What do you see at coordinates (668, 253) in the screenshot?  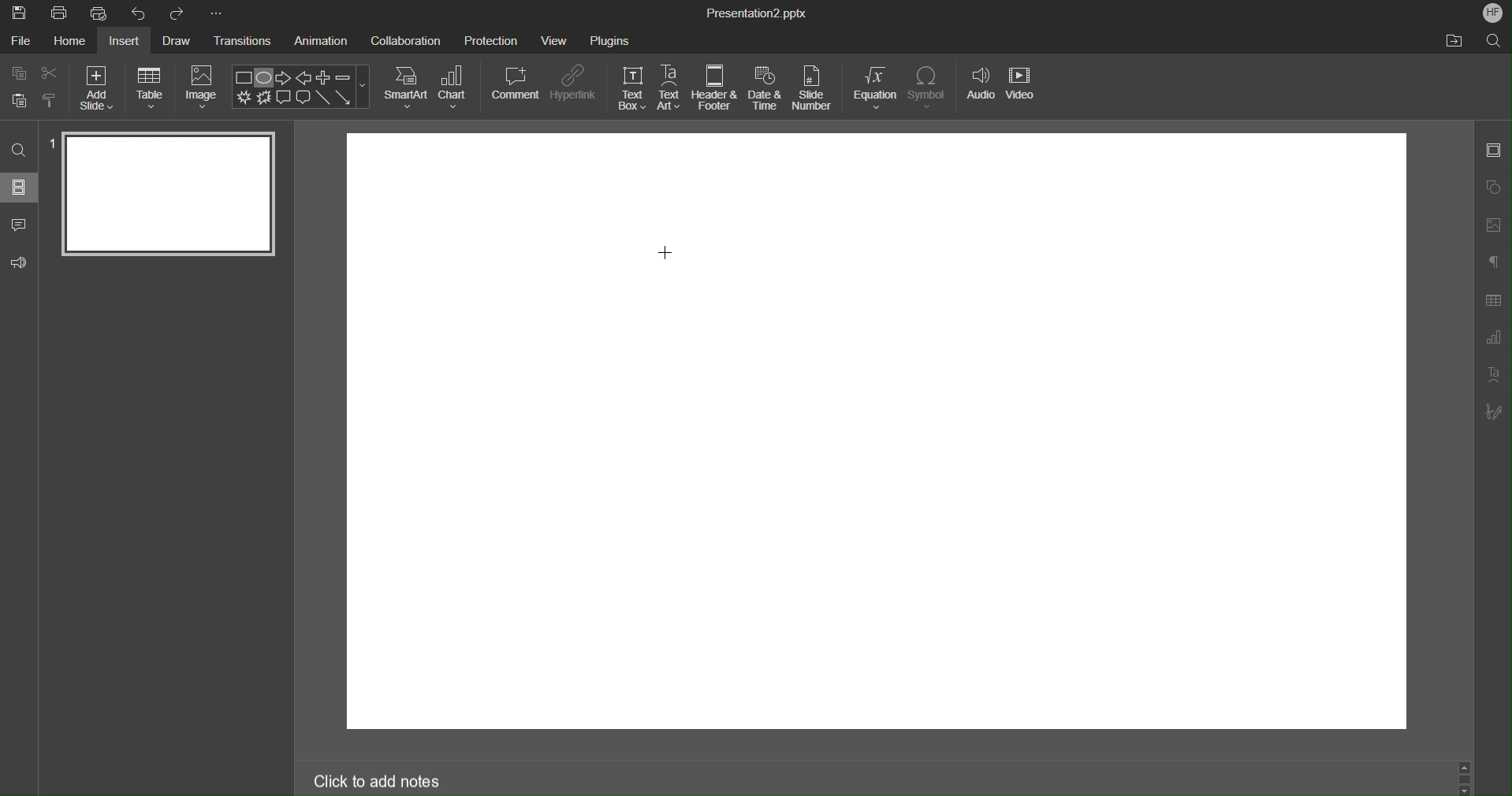 I see `Cursor` at bounding box center [668, 253].